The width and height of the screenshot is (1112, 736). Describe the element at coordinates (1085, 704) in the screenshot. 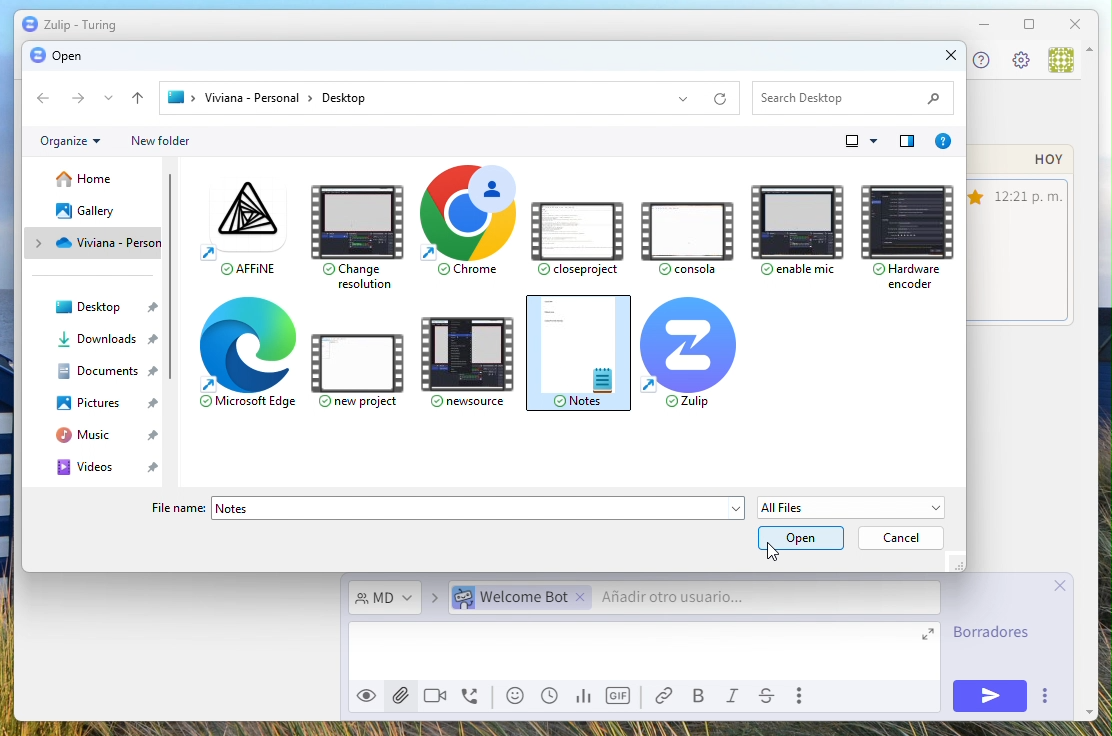

I see `page down` at that location.